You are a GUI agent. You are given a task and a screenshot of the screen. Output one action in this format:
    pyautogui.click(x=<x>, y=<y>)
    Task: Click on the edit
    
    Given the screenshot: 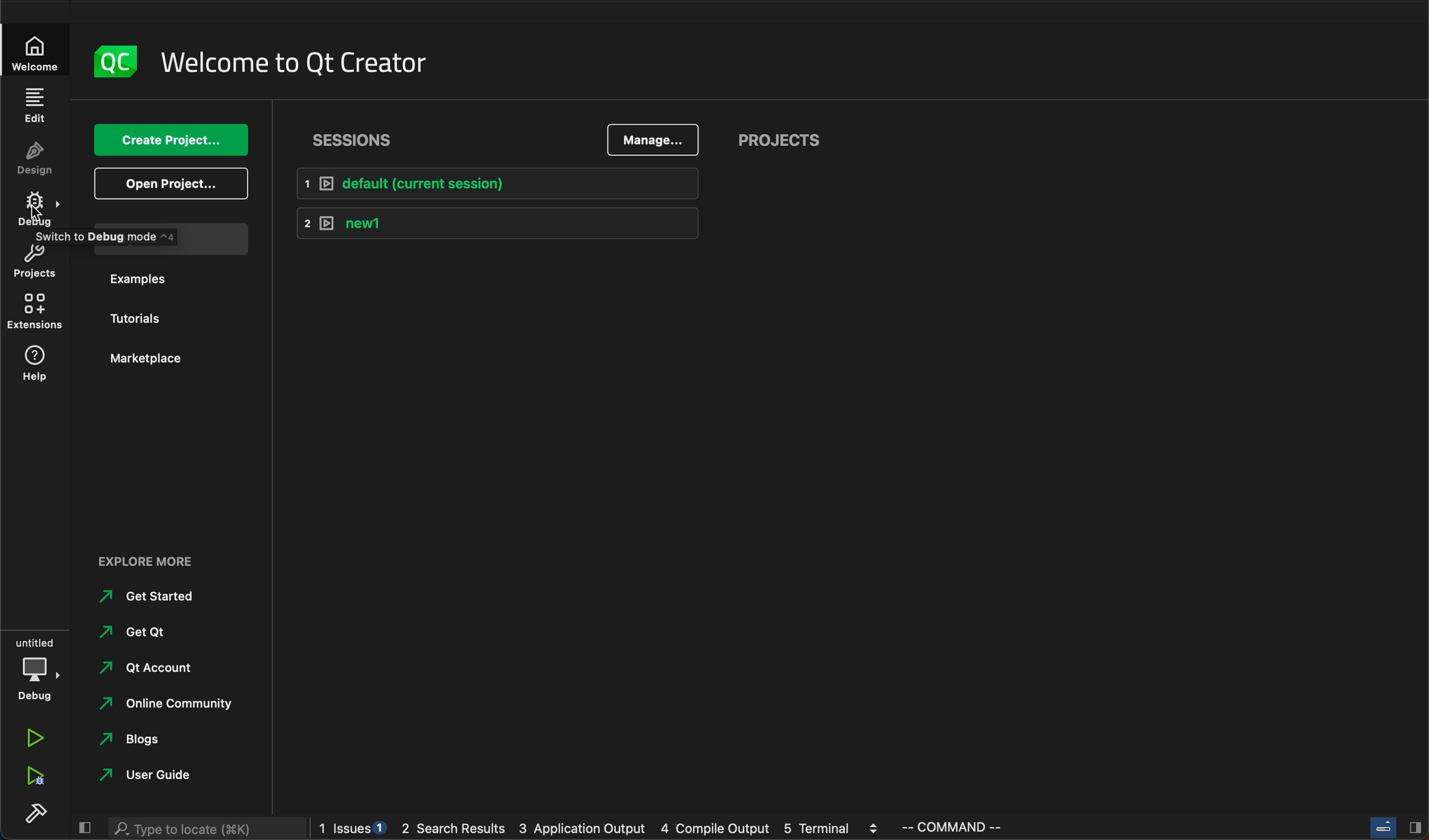 What is the action you would take?
    pyautogui.click(x=35, y=105)
    